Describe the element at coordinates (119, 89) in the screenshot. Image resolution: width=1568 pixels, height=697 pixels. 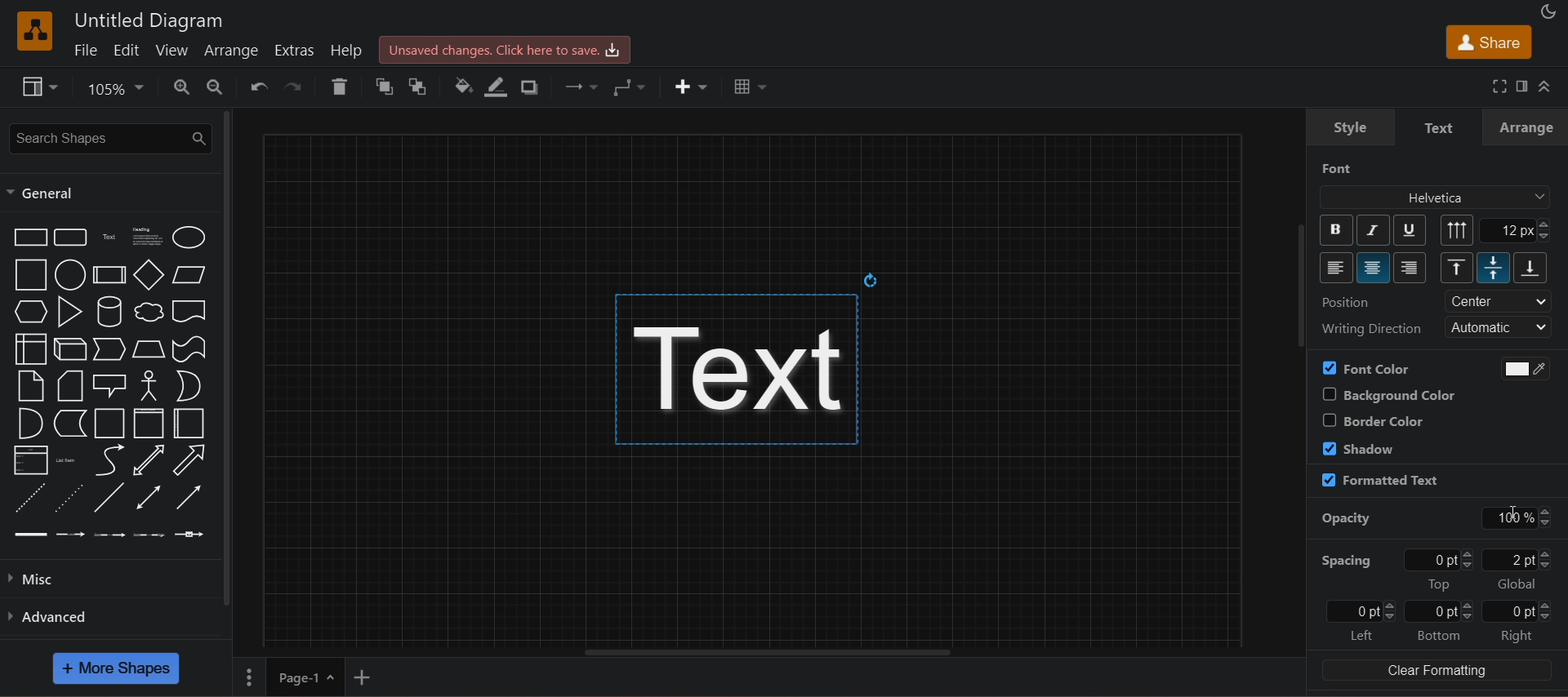
I see `zoom` at that location.